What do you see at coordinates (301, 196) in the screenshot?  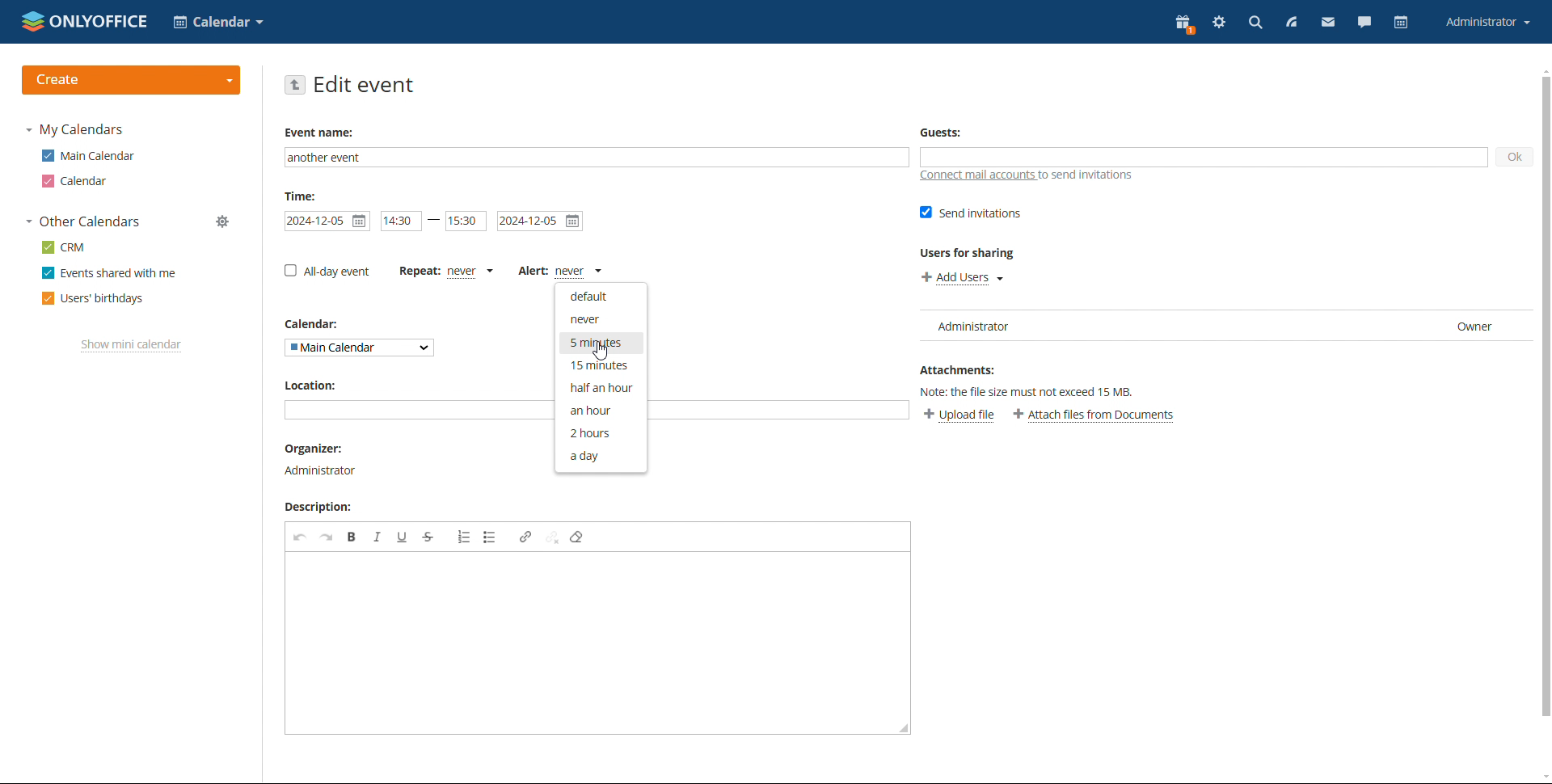 I see `Time:` at bounding box center [301, 196].